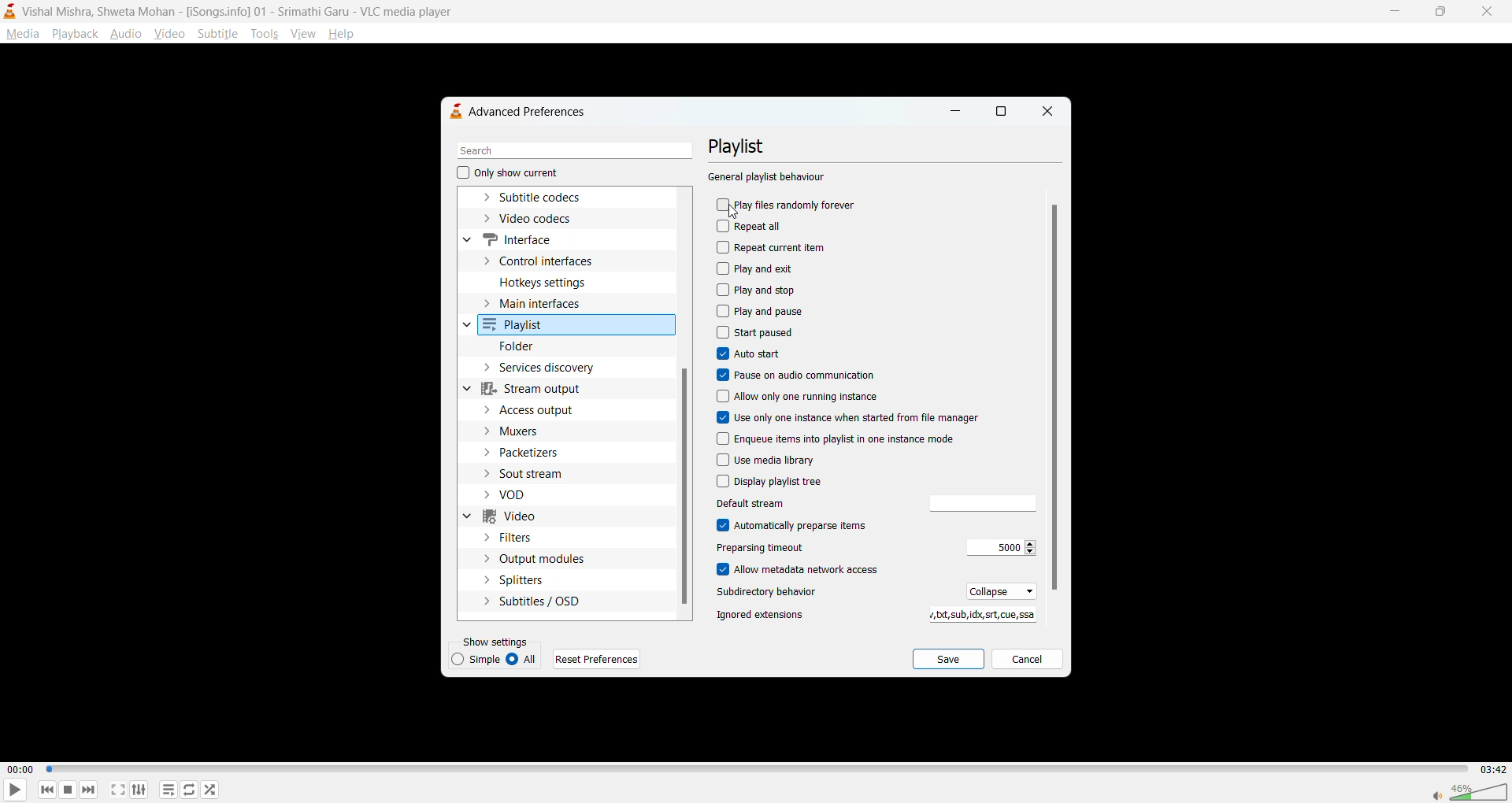 This screenshot has width=1512, height=803. I want to click on start paused, so click(758, 331).